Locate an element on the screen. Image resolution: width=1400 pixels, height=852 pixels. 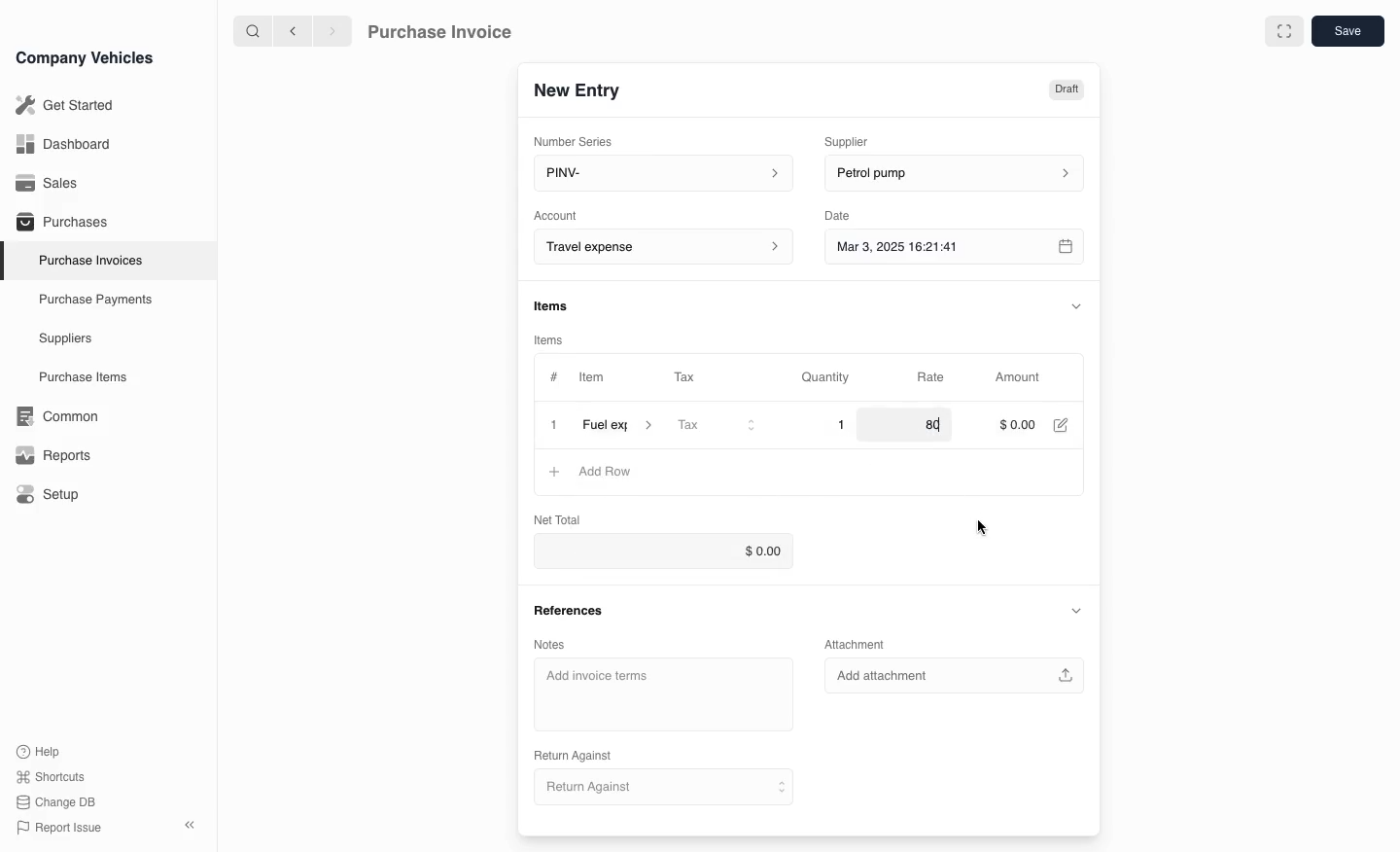
Help is located at coordinates (43, 751).